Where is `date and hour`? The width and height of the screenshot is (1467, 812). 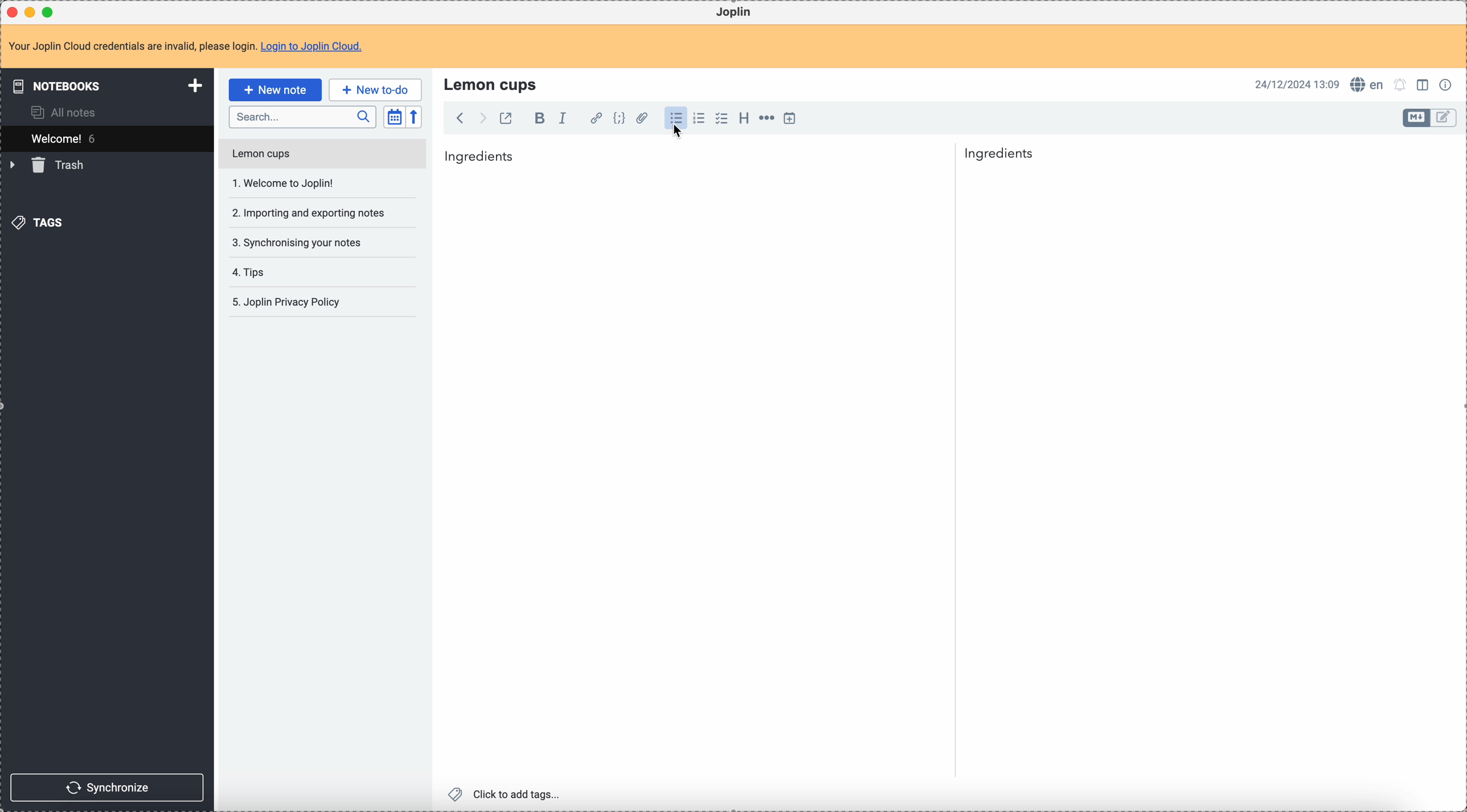
date and hour is located at coordinates (1297, 84).